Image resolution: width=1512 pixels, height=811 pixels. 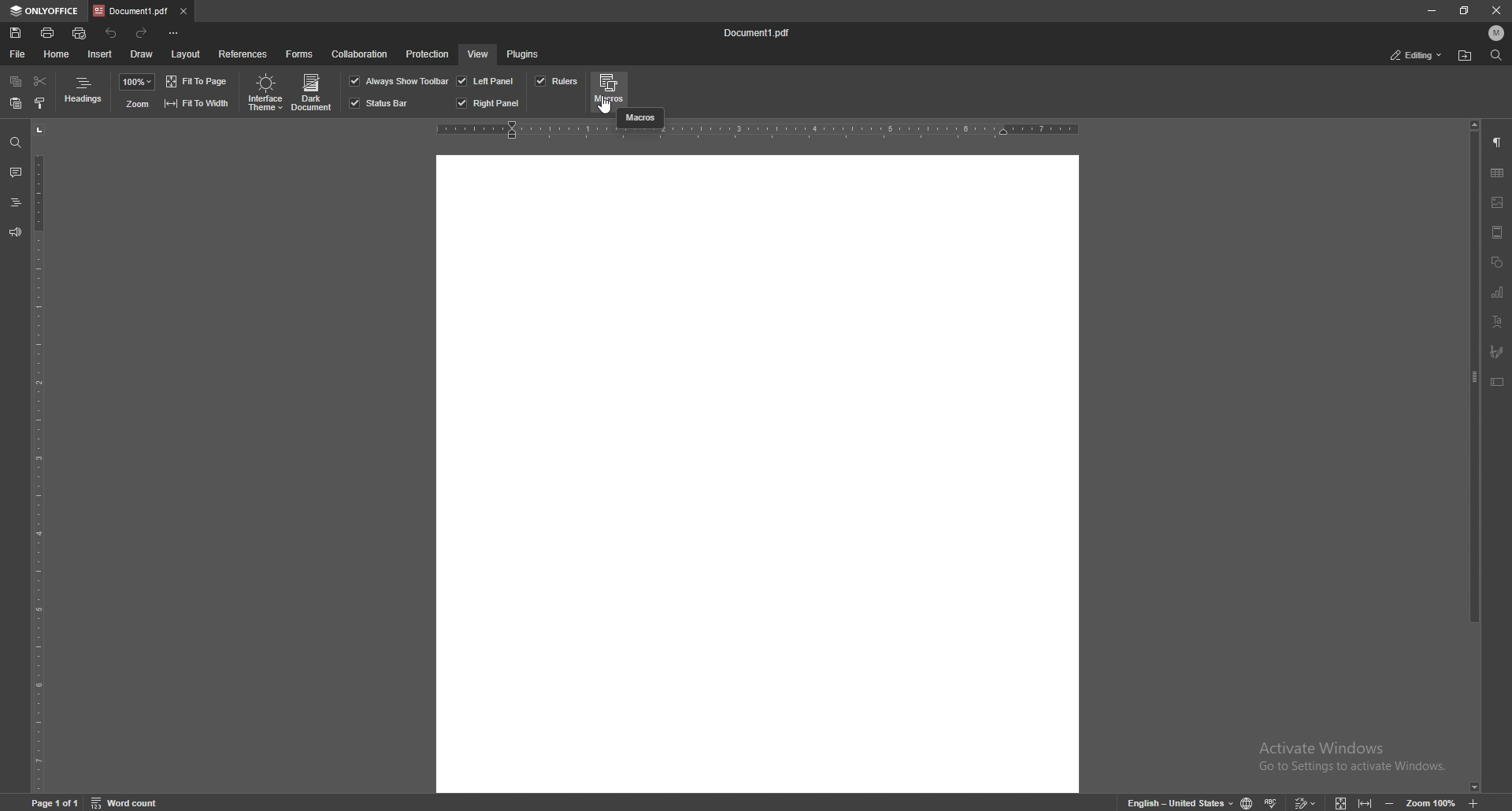 I want to click on vertical scale, so click(x=39, y=456).